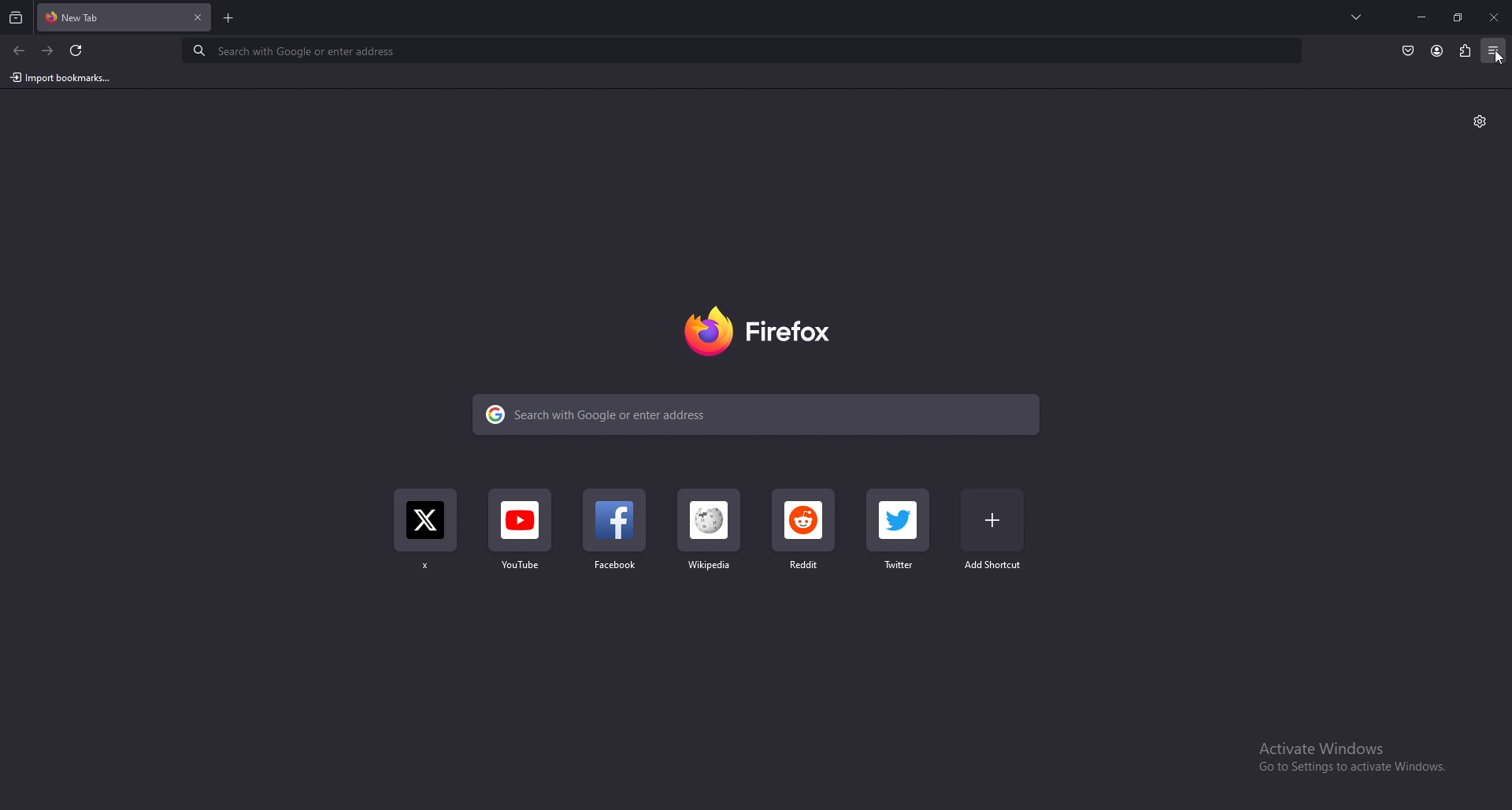 Image resolution: width=1512 pixels, height=810 pixels. What do you see at coordinates (227, 17) in the screenshot?
I see `add tab` at bounding box center [227, 17].